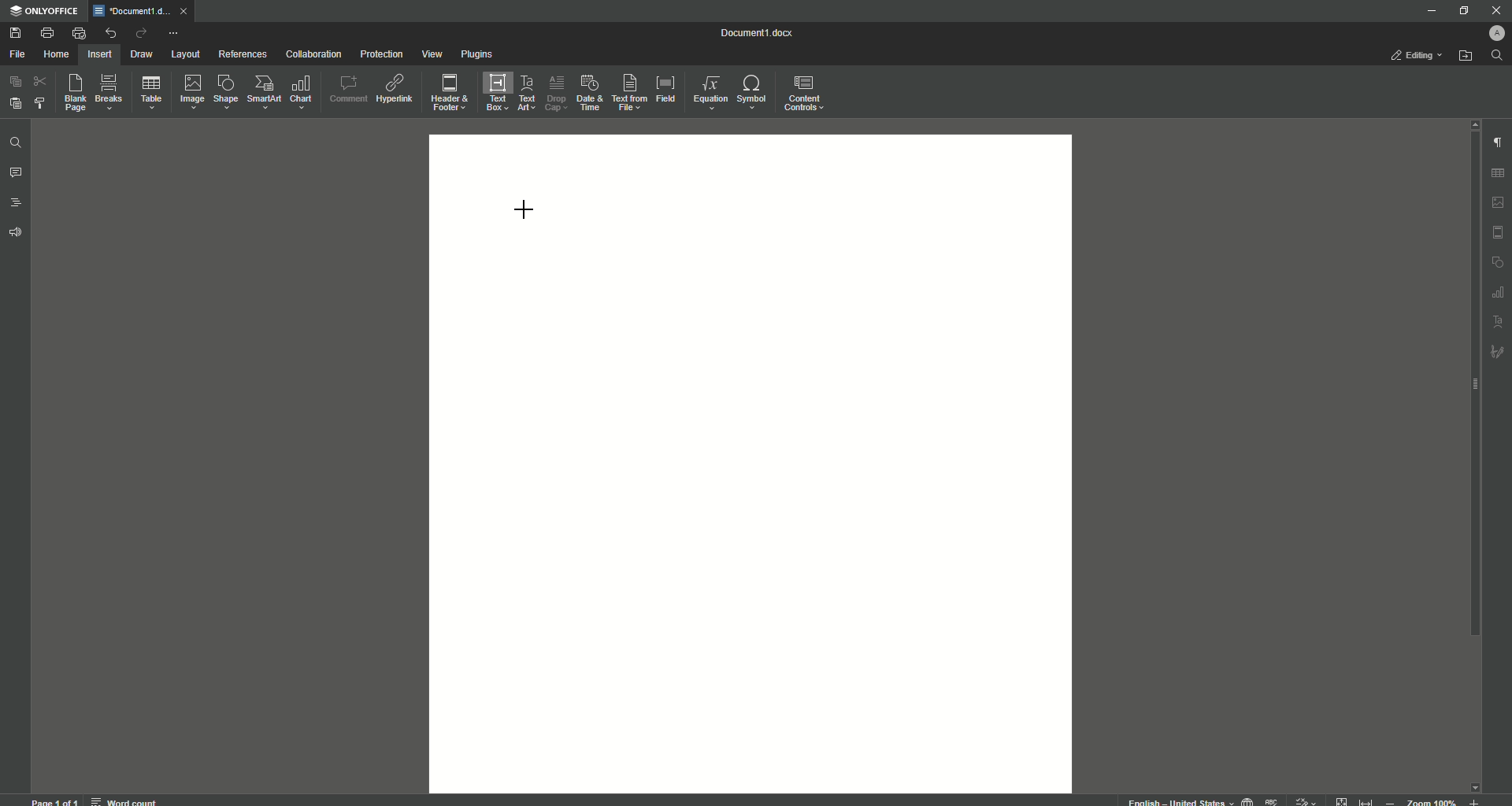  I want to click on  Paragraph Settings, so click(1496, 142).